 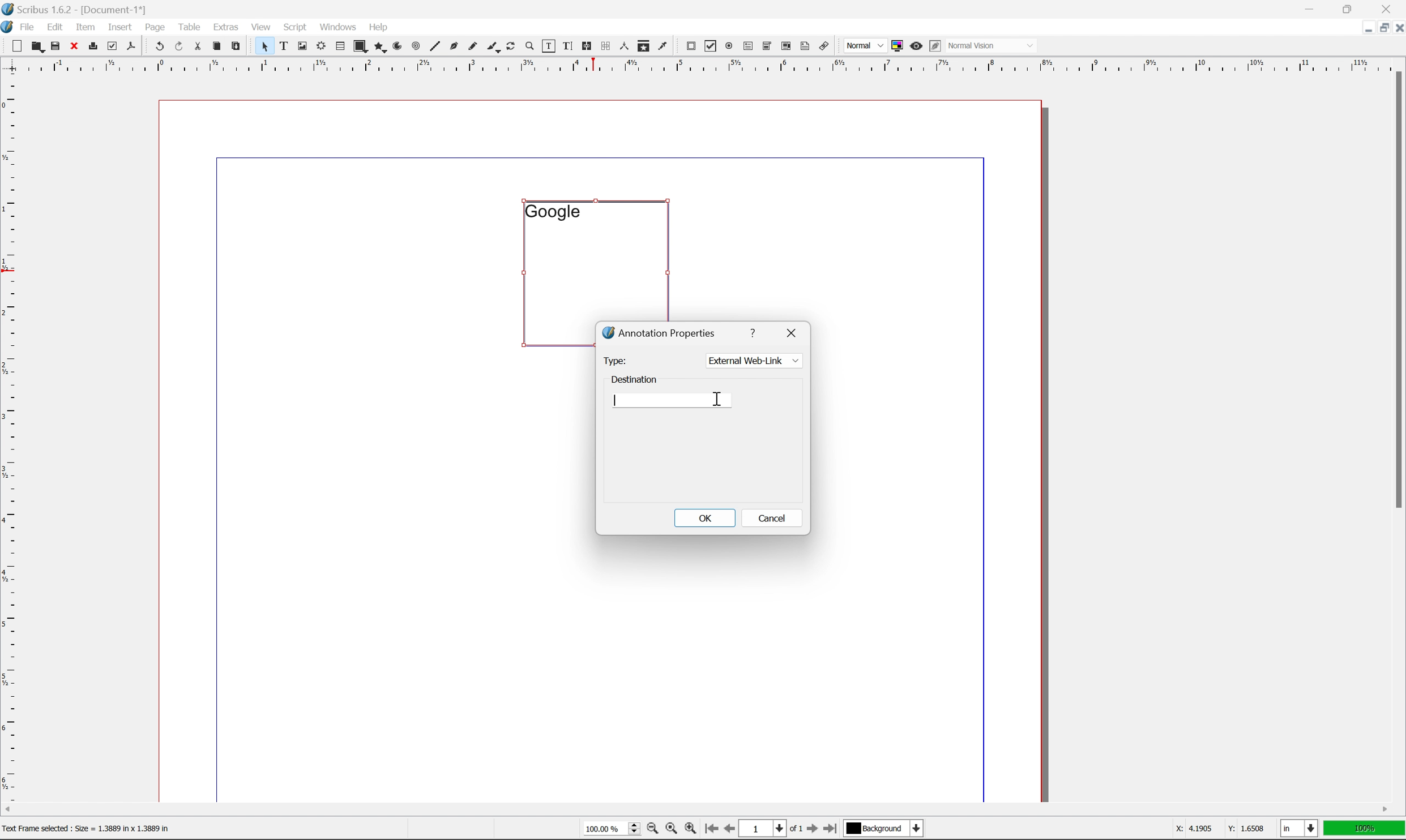 I want to click on script, so click(x=295, y=27).